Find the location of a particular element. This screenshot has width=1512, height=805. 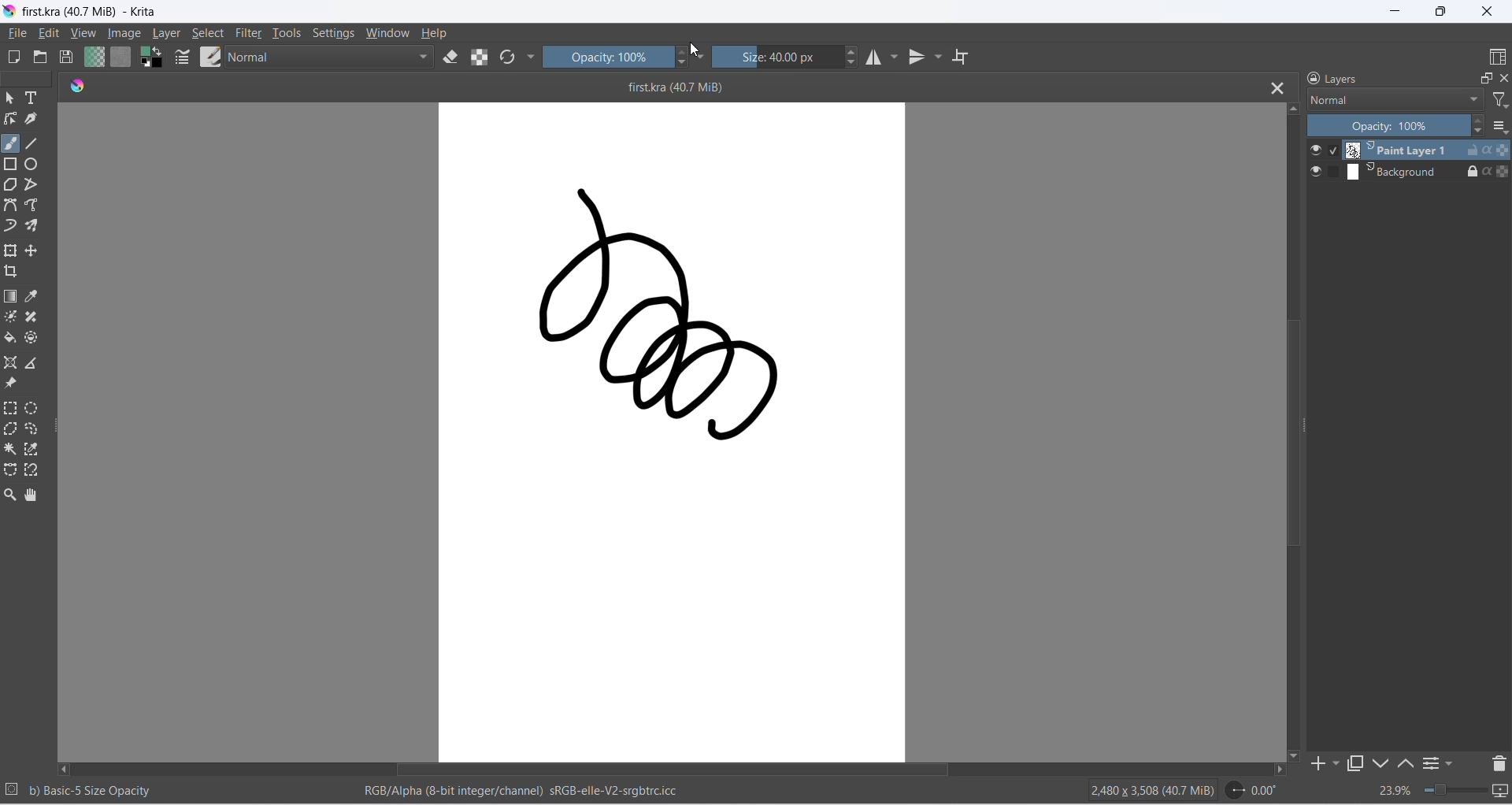

vertical mirror tool is located at coordinates (917, 57).